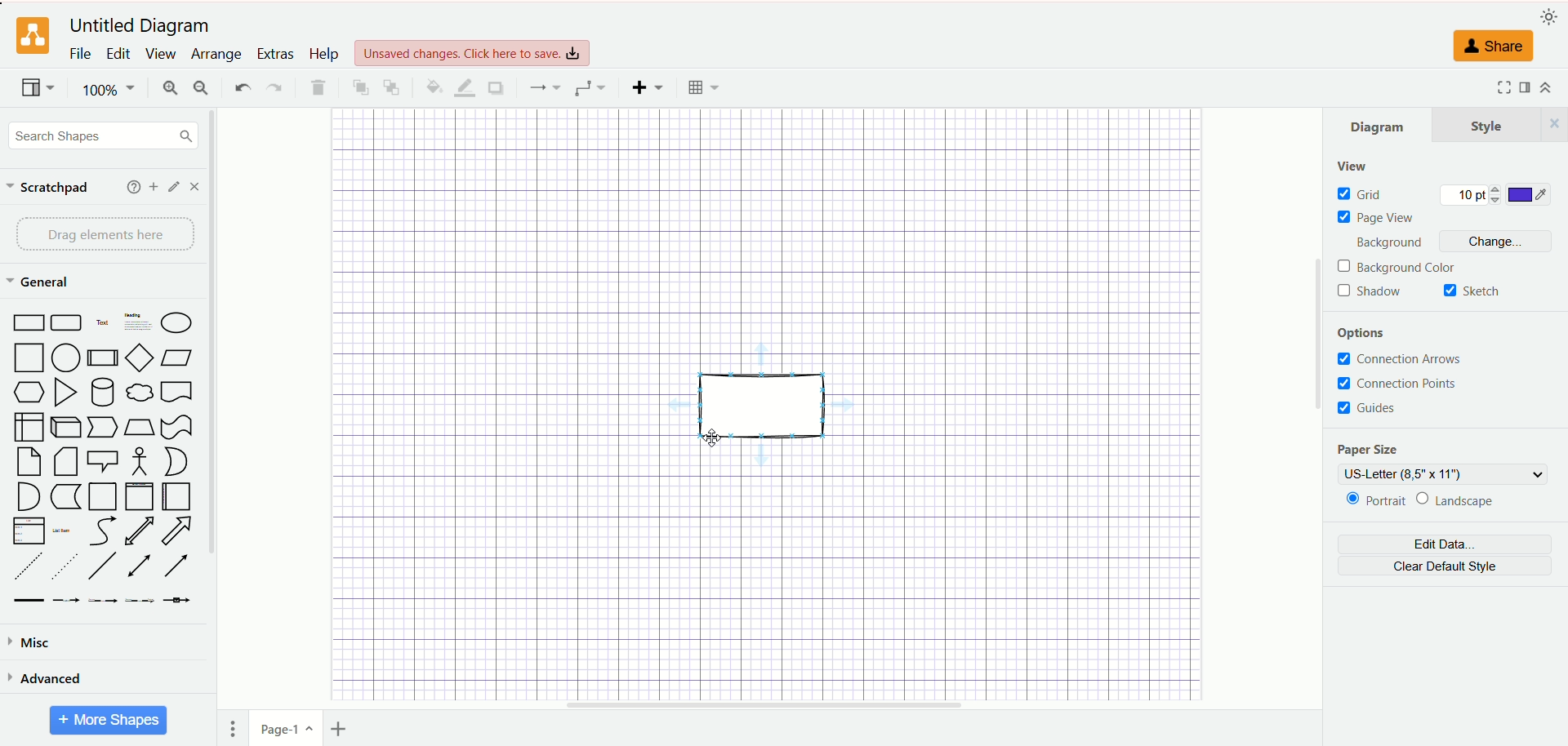 The height and width of the screenshot is (746, 1568). I want to click on diagram, so click(1379, 124).